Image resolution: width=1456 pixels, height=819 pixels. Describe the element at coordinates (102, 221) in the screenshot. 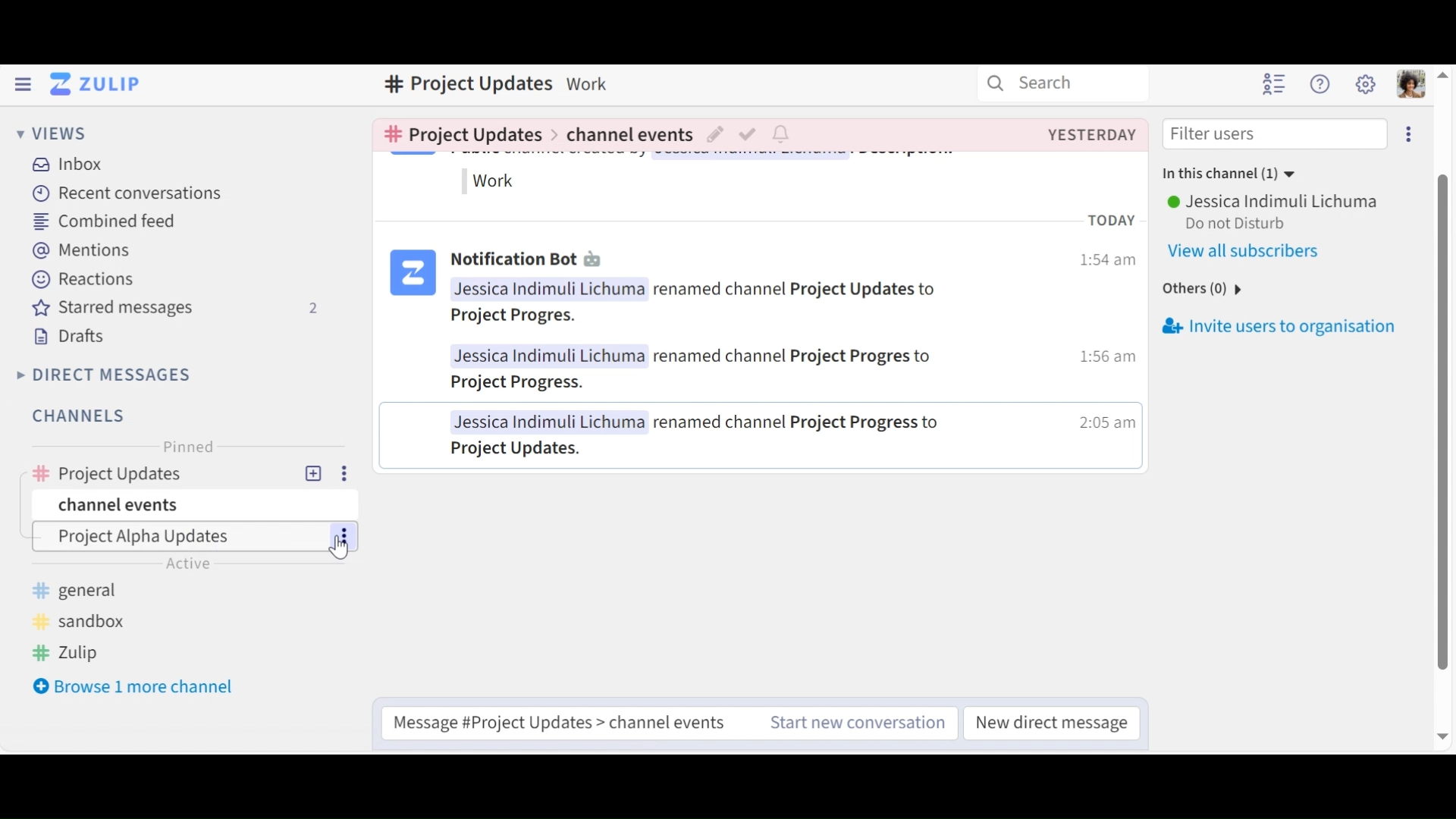

I see `Combined feed` at that location.